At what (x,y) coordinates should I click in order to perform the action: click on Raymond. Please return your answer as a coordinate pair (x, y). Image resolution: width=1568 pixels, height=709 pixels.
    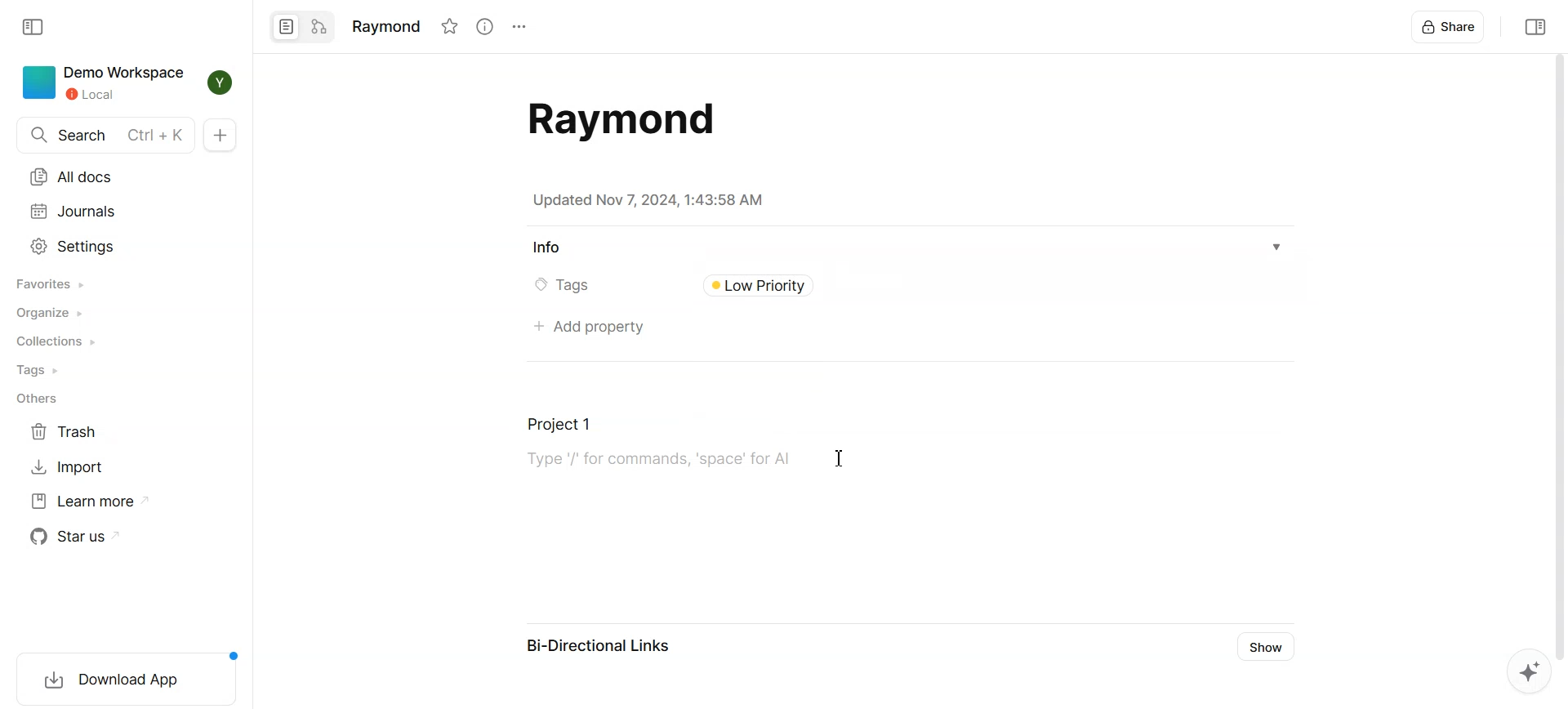
    Looking at the image, I should click on (385, 25).